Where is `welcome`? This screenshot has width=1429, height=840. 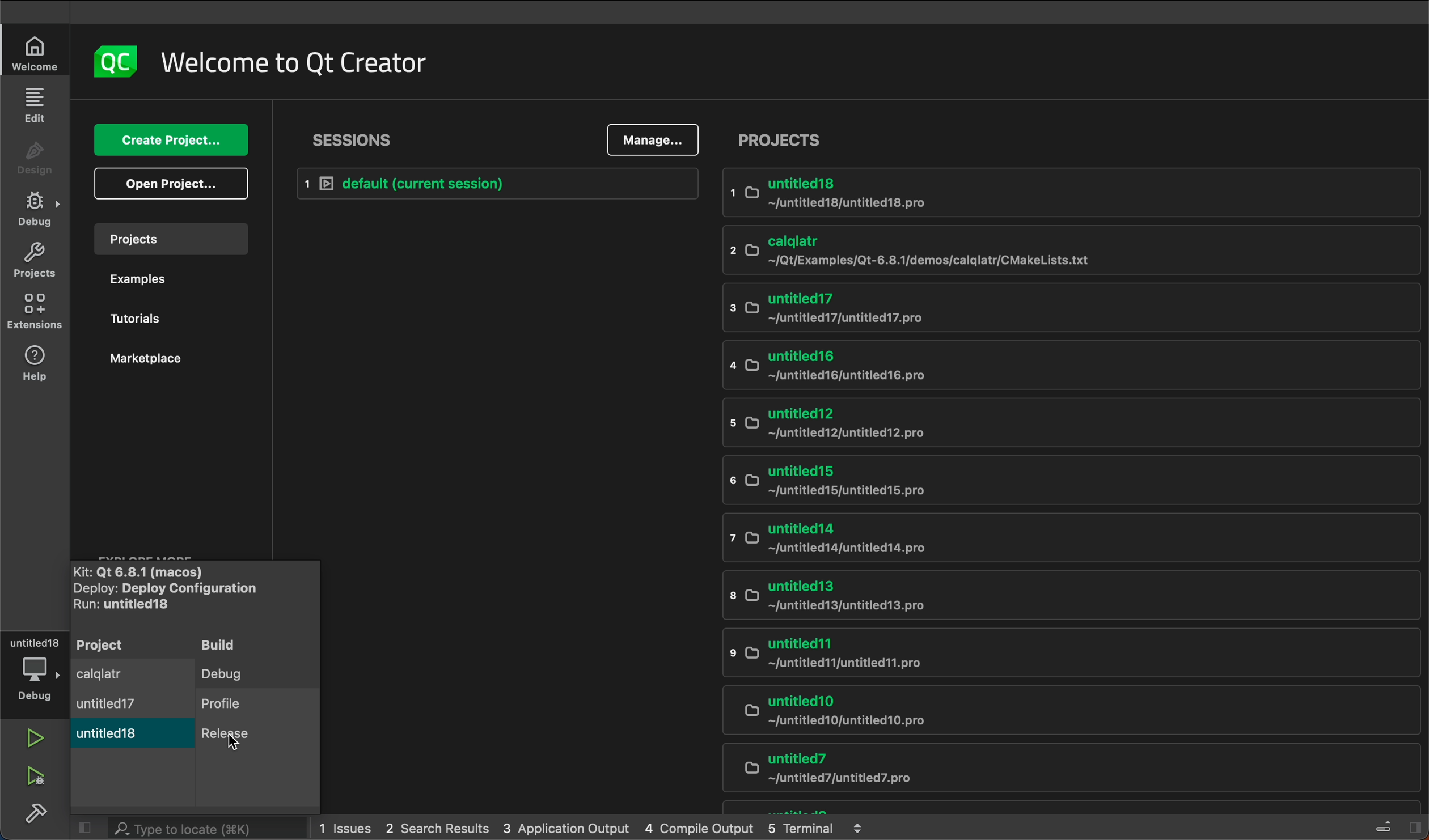 welcome is located at coordinates (293, 60).